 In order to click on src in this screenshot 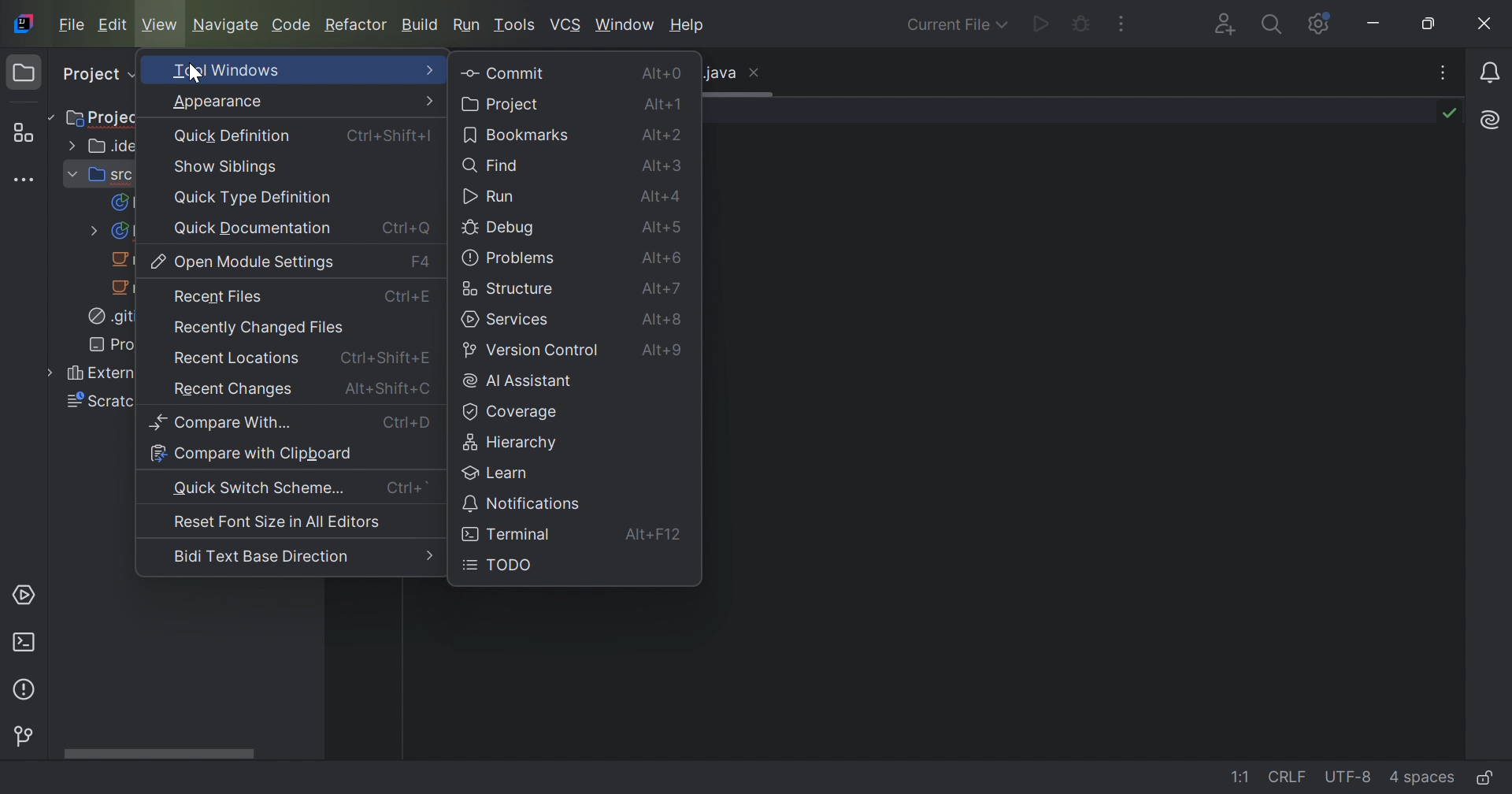, I will do `click(99, 176)`.